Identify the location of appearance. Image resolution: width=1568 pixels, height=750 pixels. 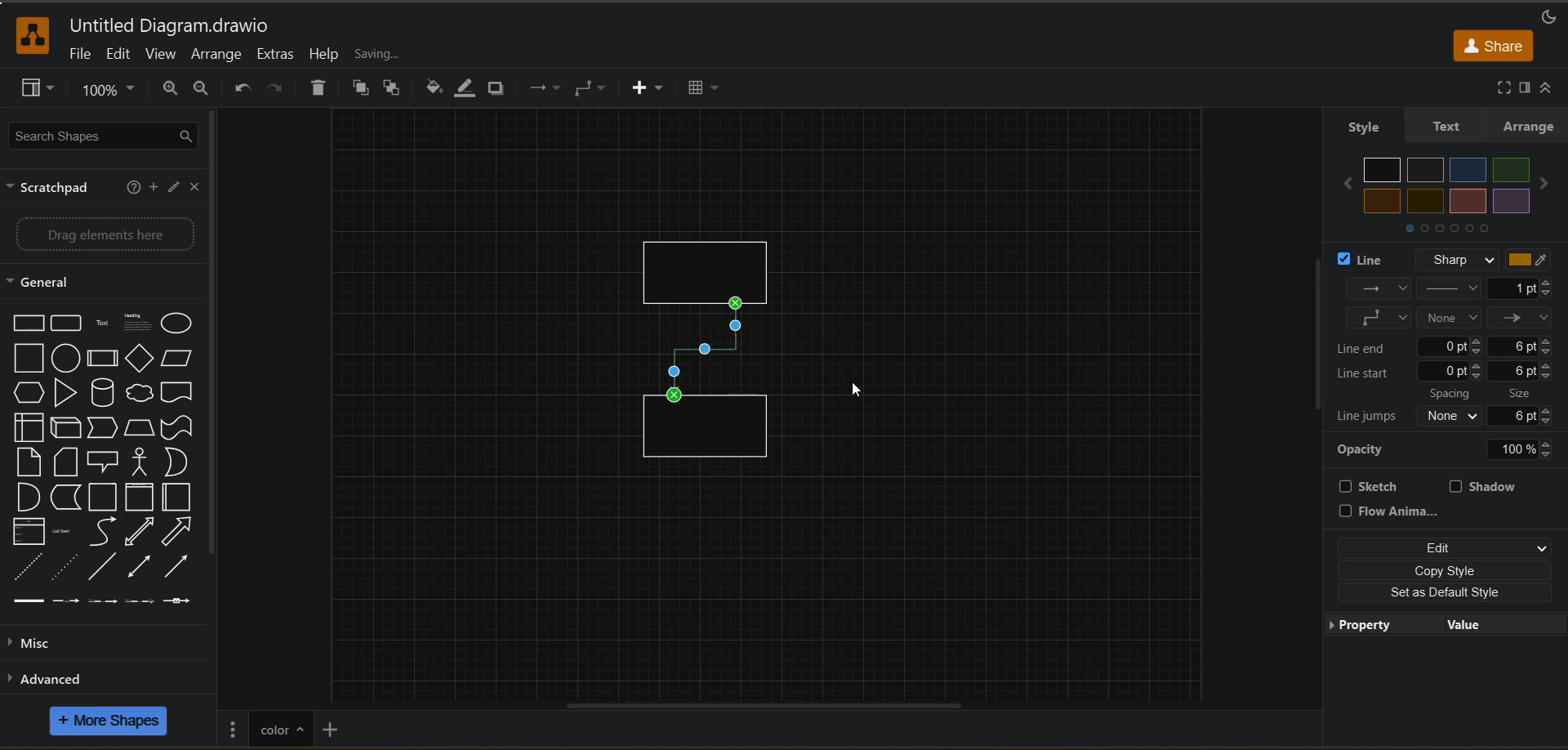
(1547, 14).